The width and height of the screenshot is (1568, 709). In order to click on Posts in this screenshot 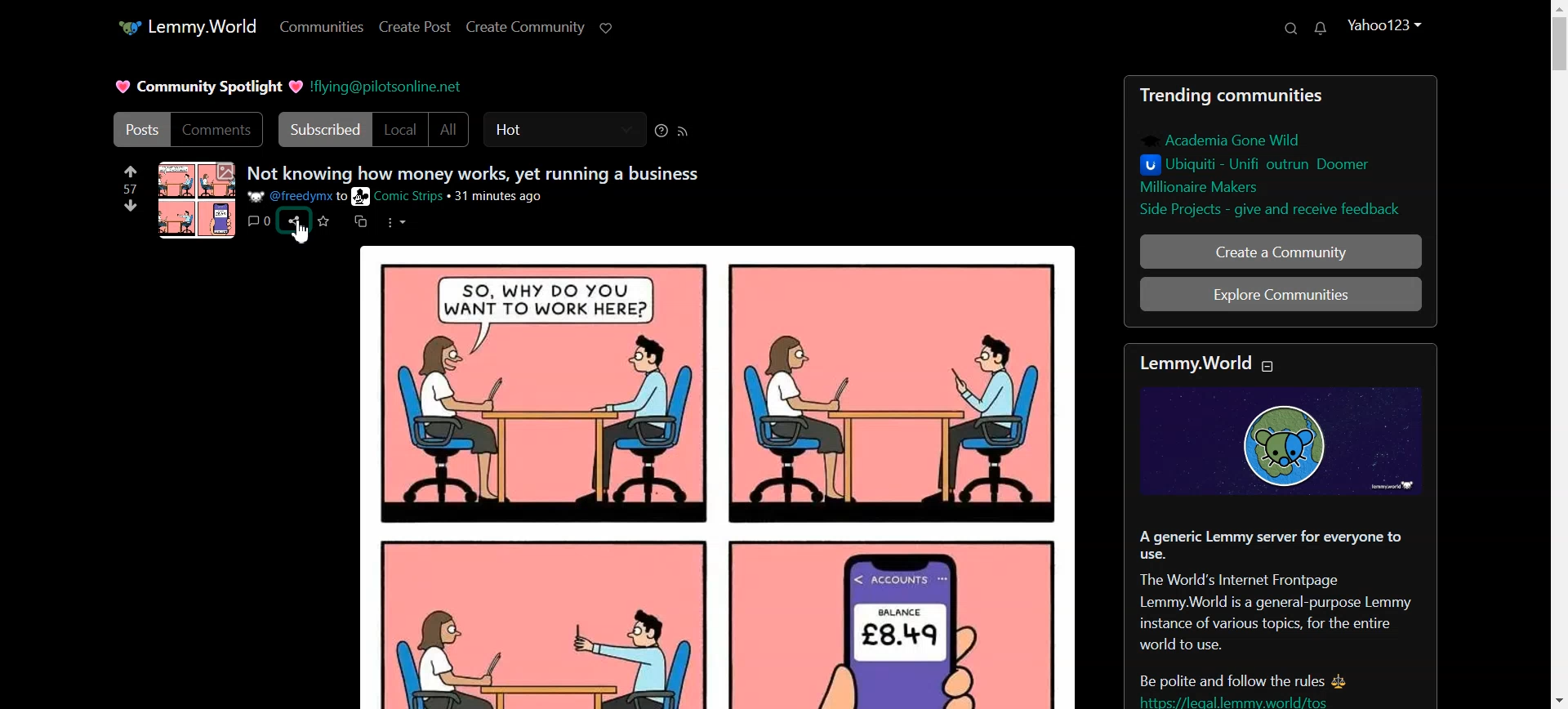, I will do `click(1280, 151)`.